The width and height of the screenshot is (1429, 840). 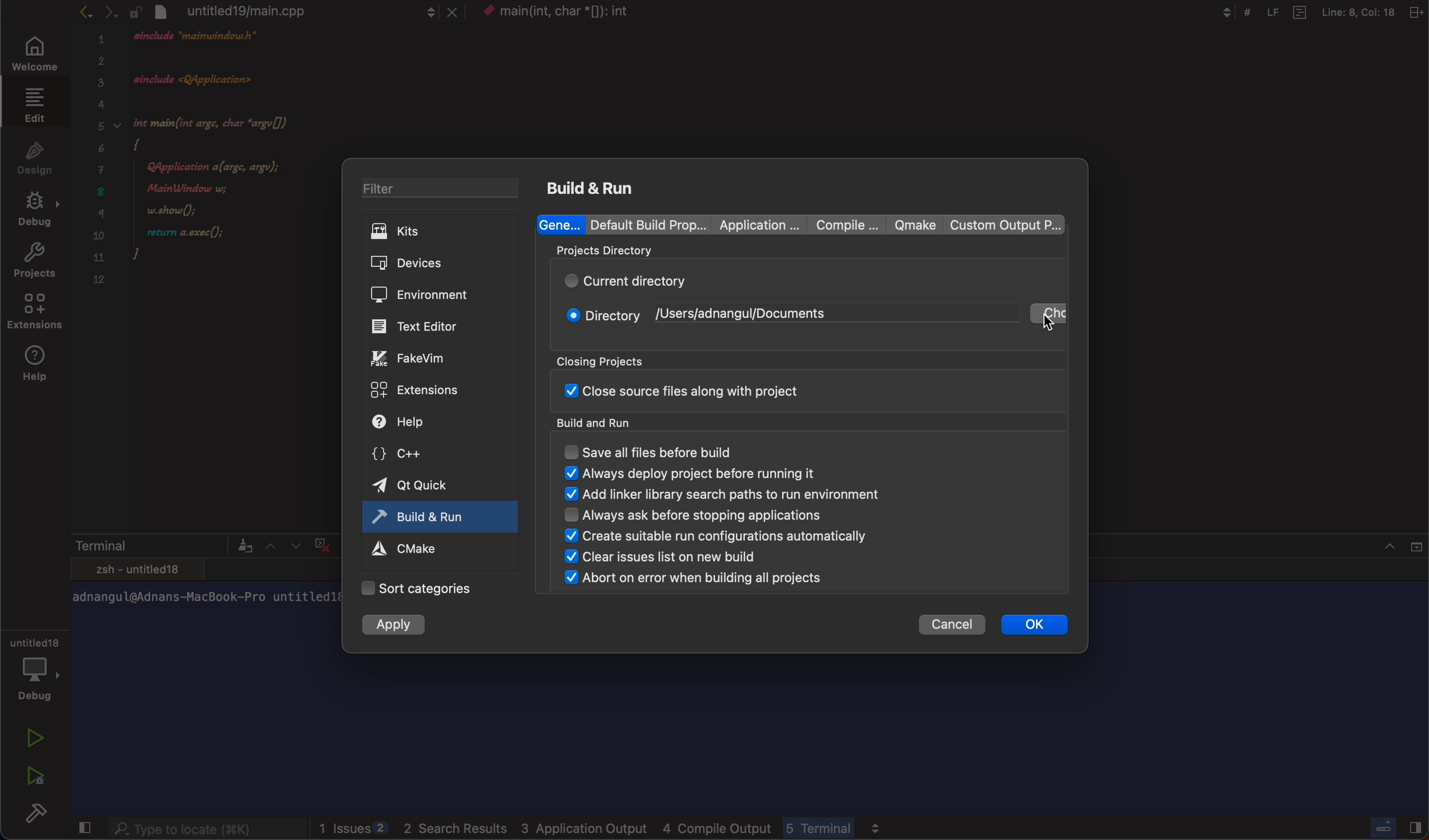 I want to click on design, so click(x=36, y=155).